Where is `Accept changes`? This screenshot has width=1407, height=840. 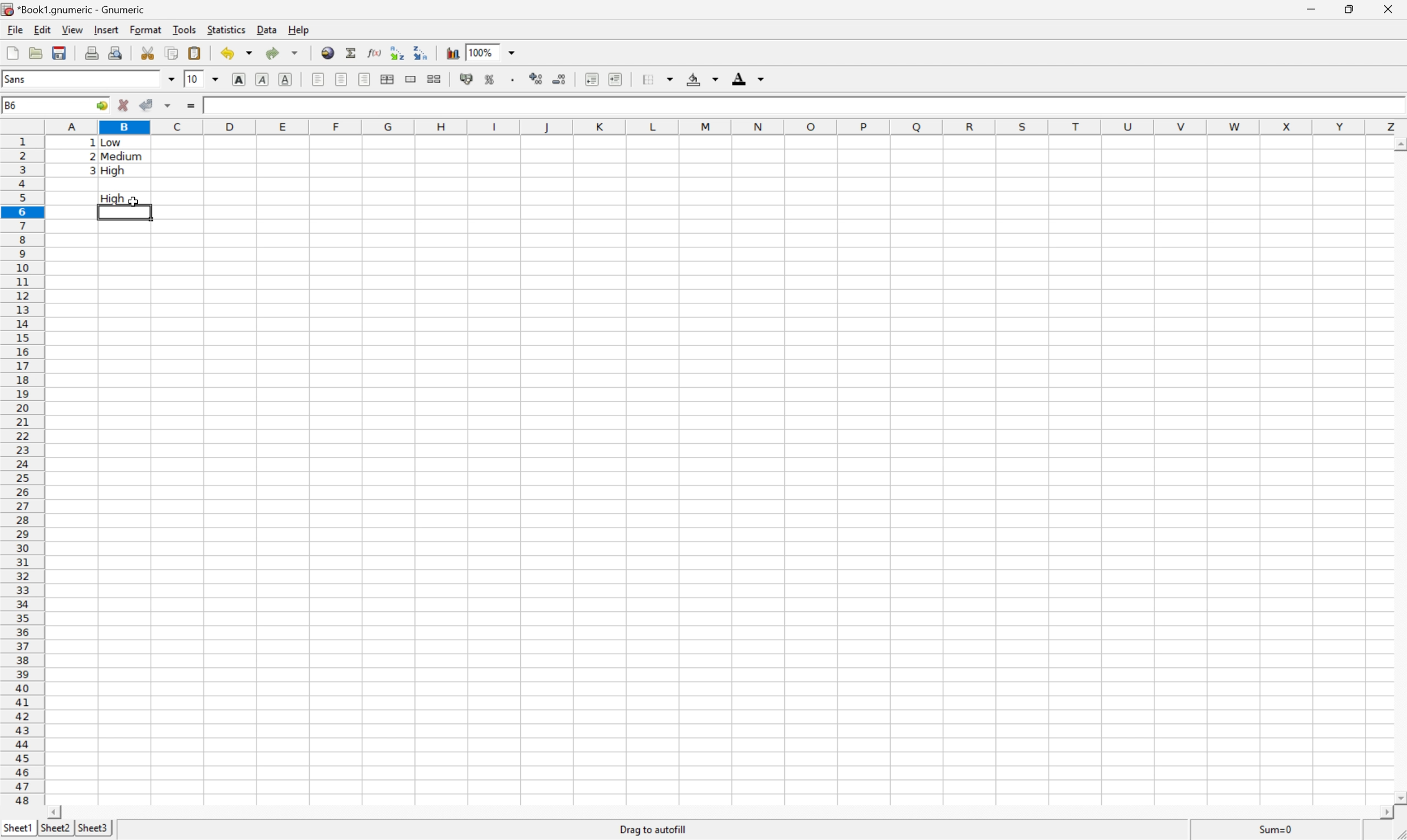
Accept changes is located at coordinates (147, 104).